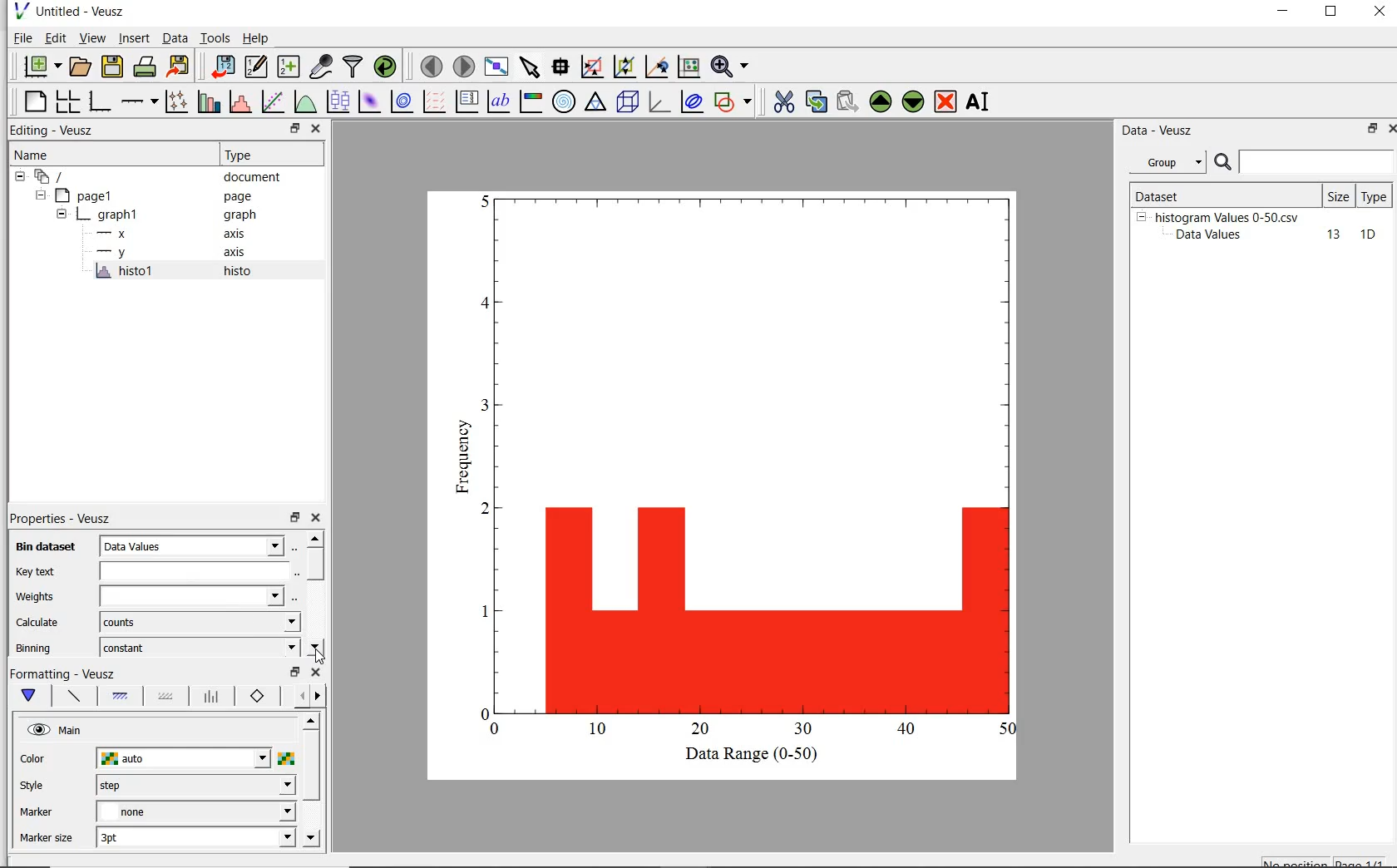 The image size is (1397, 868). Describe the element at coordinates (20, 11) in the screenshot. I see `veusz logo` at that location.